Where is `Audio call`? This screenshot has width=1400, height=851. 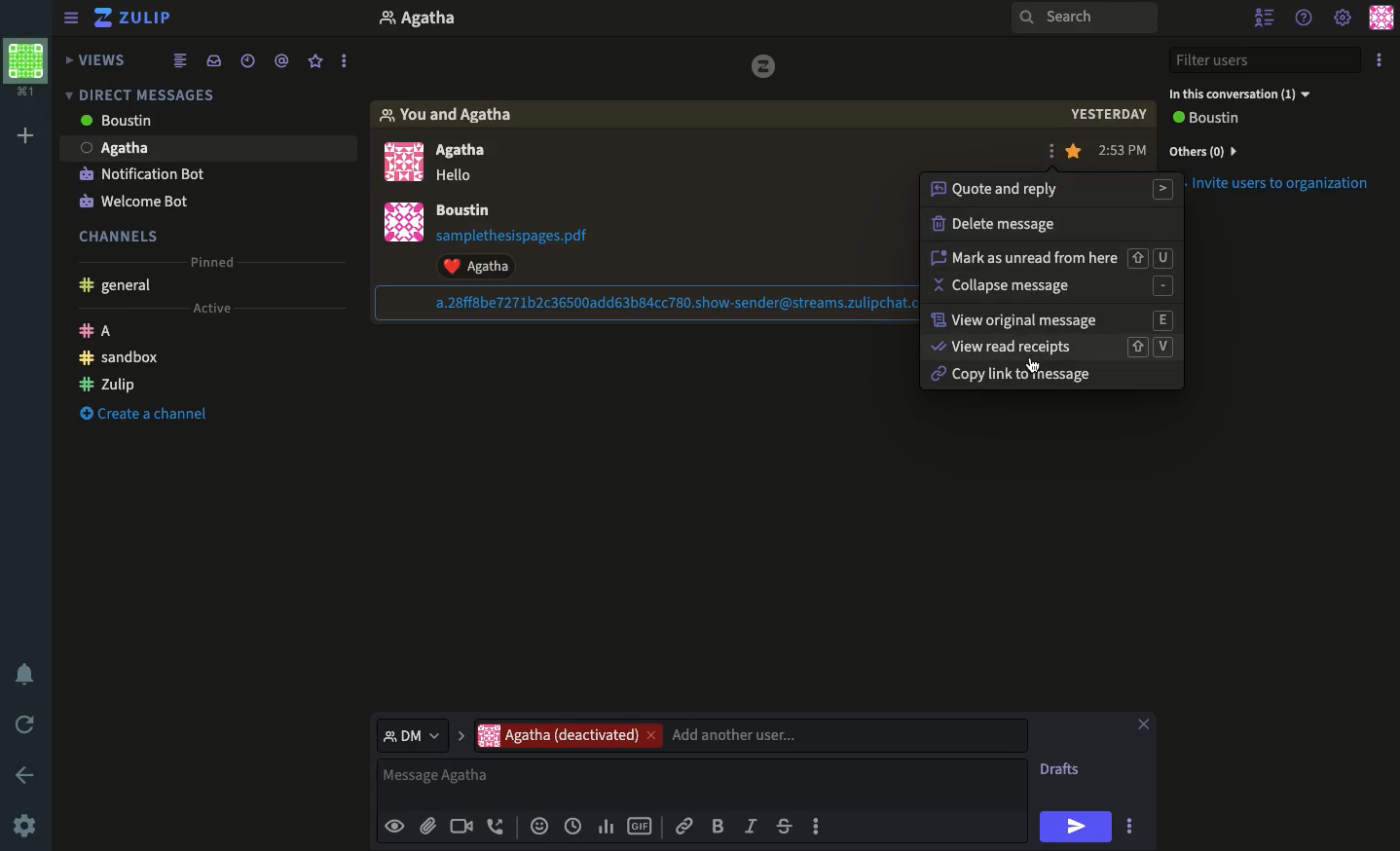
Audio call is located at coordinates (497, 828).